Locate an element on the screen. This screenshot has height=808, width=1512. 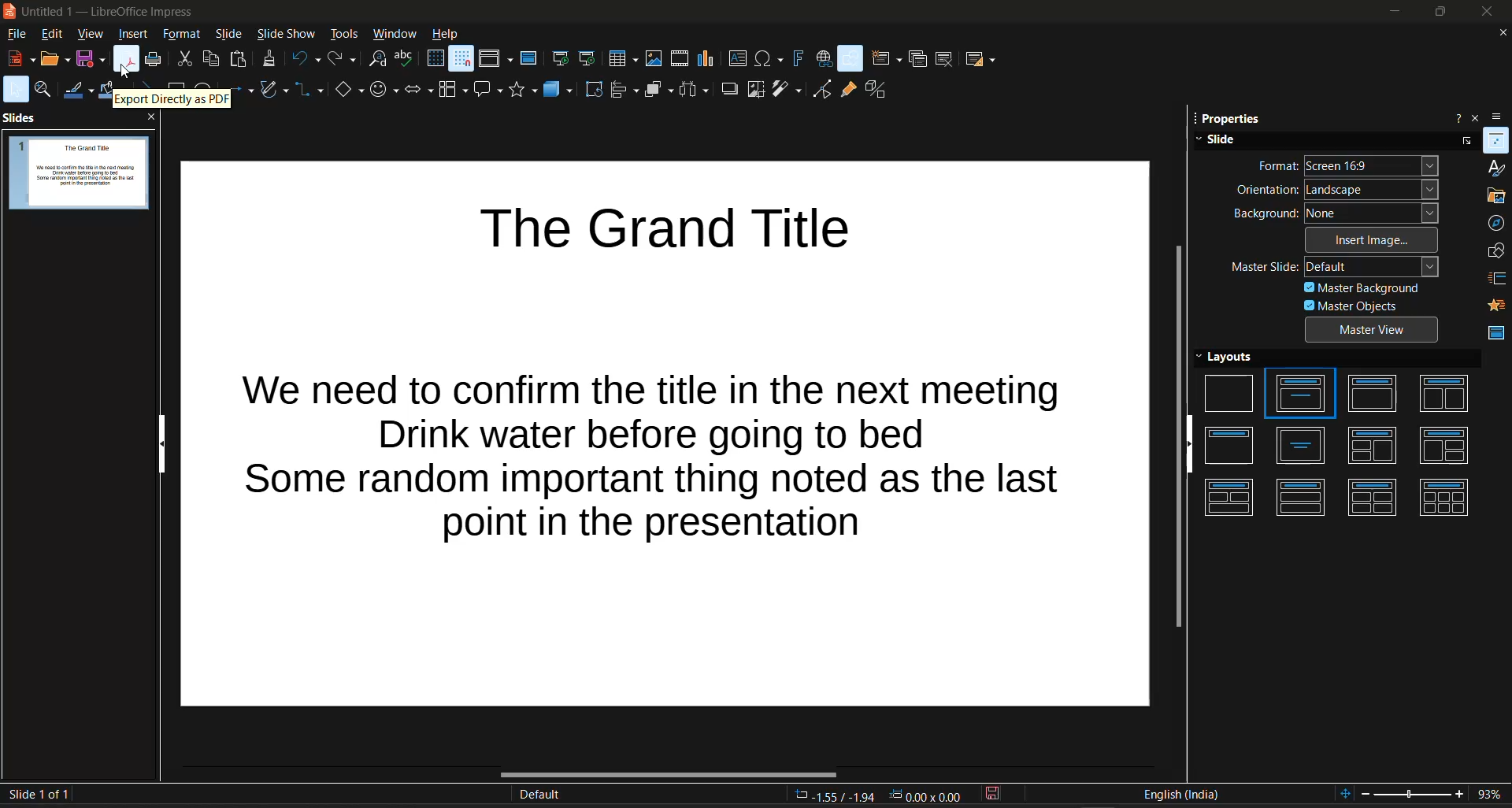
slide is located at coordinates (1318, 139).